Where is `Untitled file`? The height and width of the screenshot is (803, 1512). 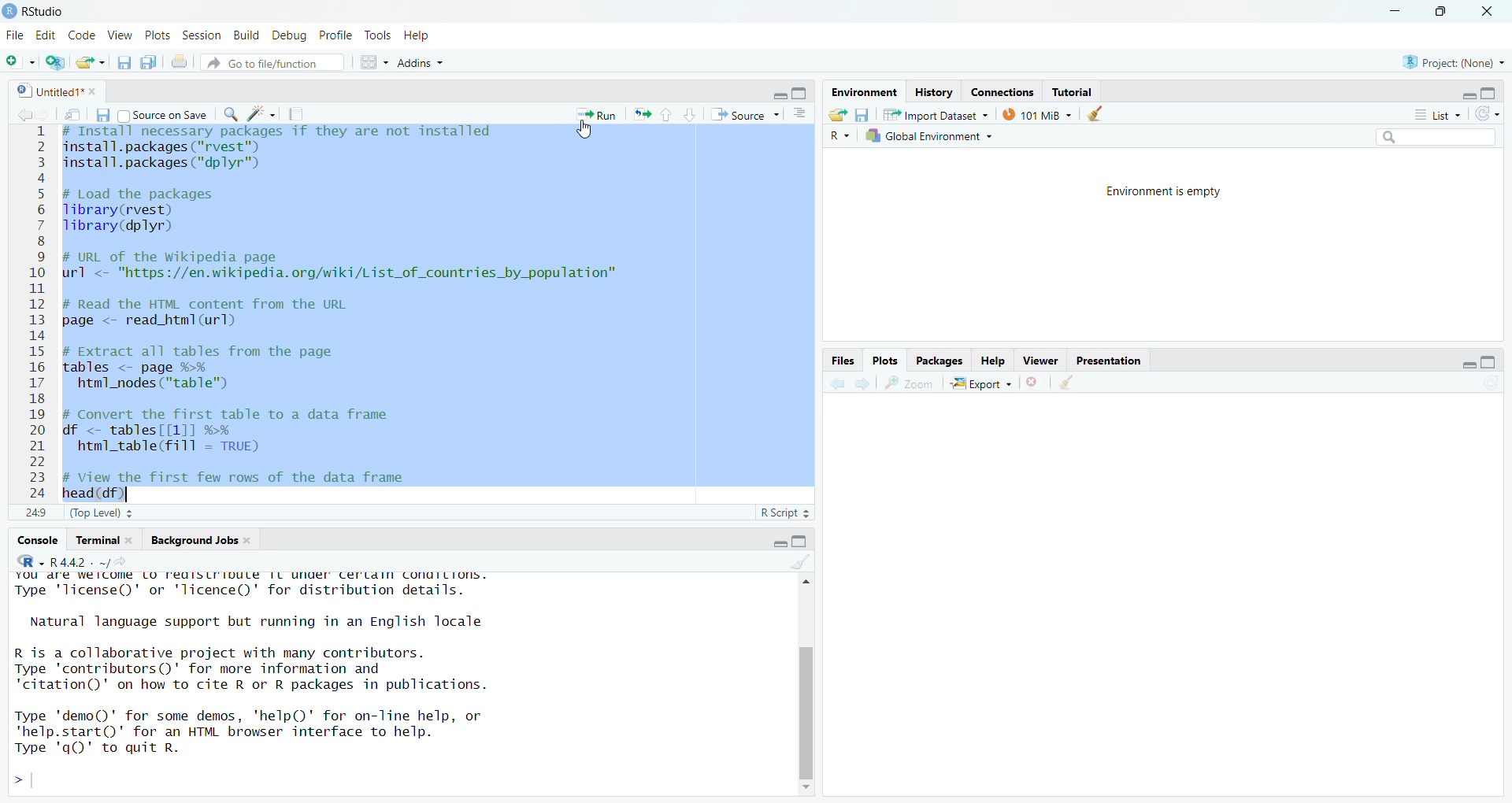 Untitled file is located at coordinates (46, 90).